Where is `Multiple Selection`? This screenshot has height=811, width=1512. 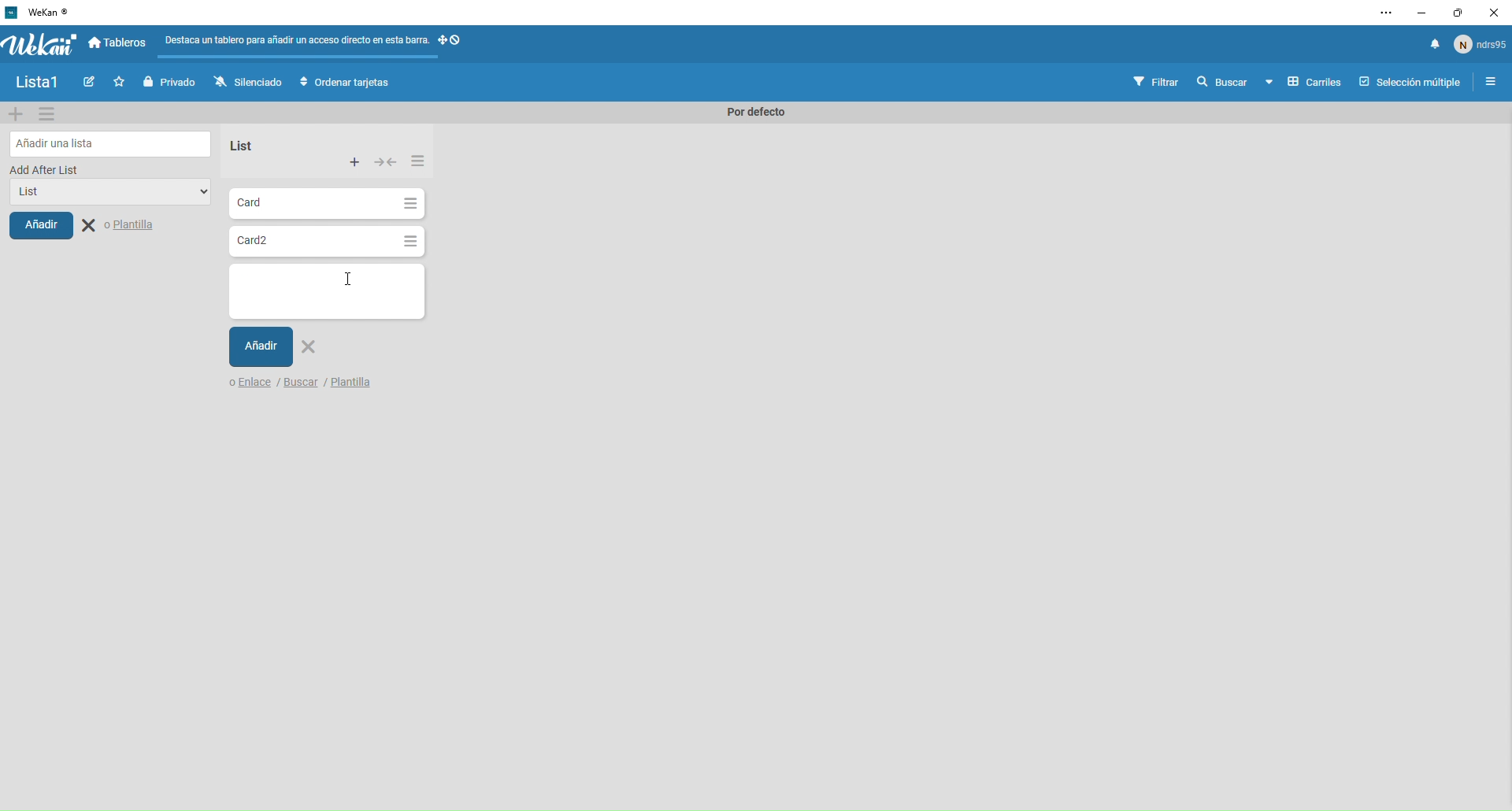
Multiple Selection is located at coordinates (1412, 83).